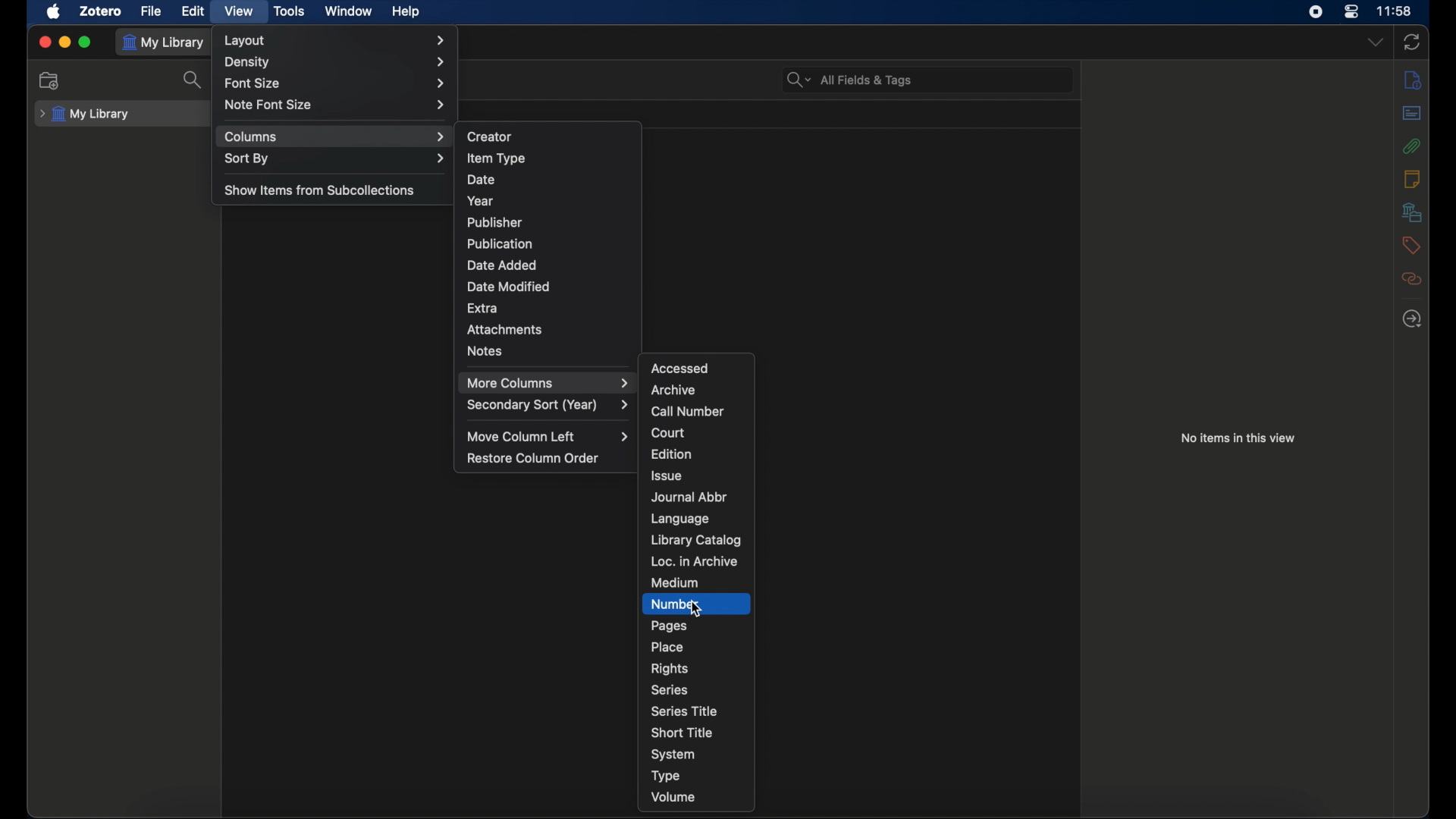 This screenshot has width=1456, height=819. What do you see at coordinates (667, 646) in the screenshot?
I see `place` at bounding box center [667, 646].